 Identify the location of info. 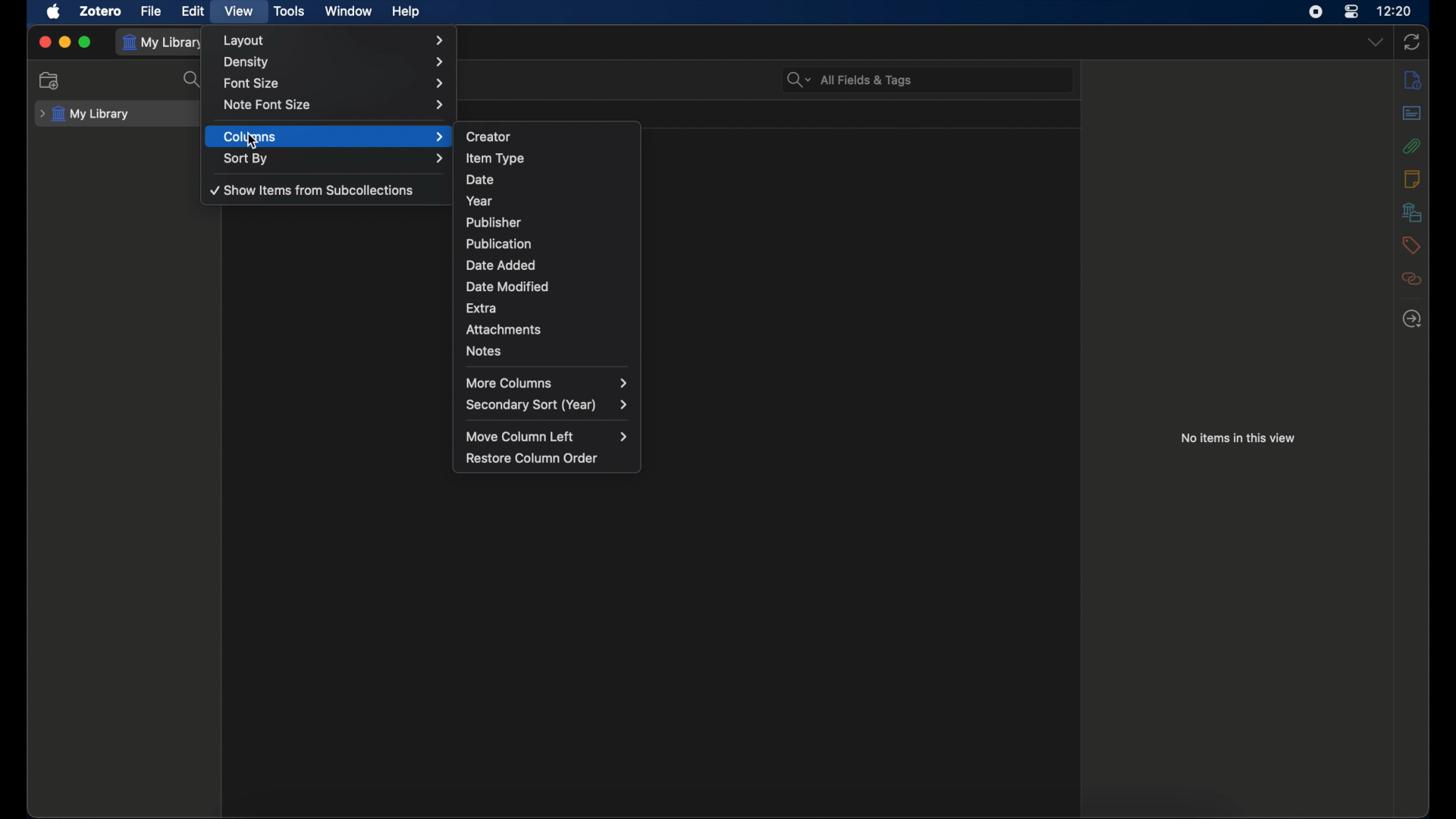
(1414, 80).